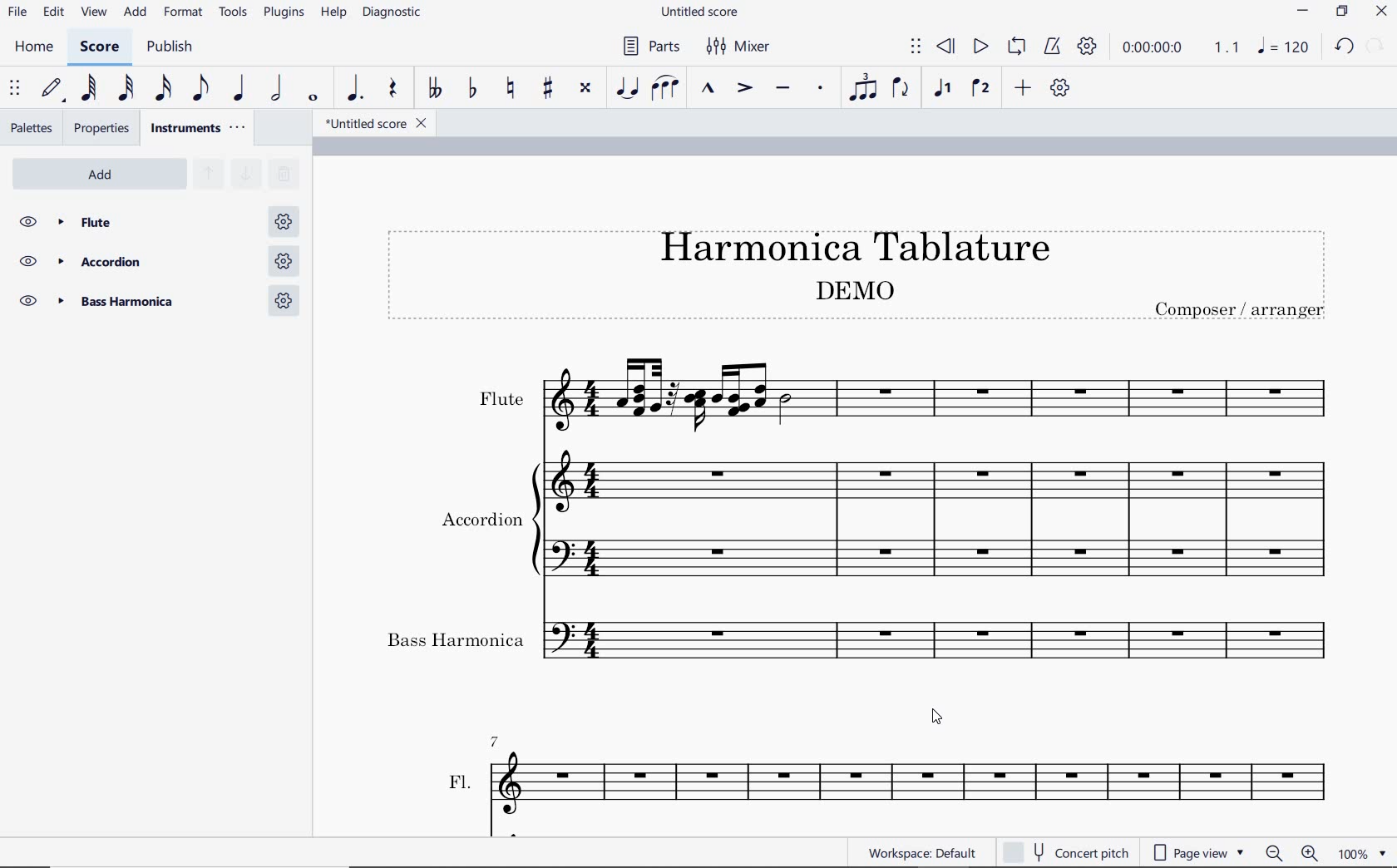 This screenshot has width=1397, height=868. What do you see at coordinates (698, 13) in the screenshot?
I see `FILE NAME` at bounding box center [698, 13].